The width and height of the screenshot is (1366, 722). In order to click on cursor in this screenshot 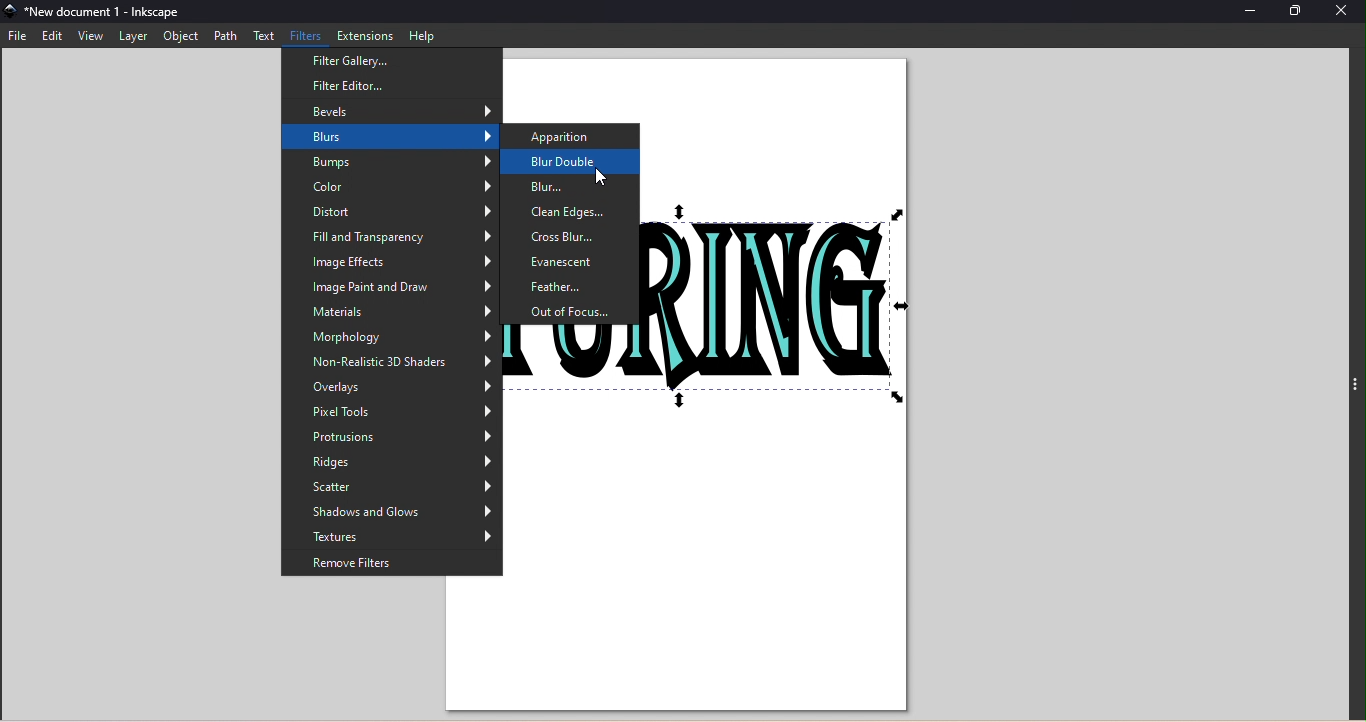, I will do `click(601, 176)`.